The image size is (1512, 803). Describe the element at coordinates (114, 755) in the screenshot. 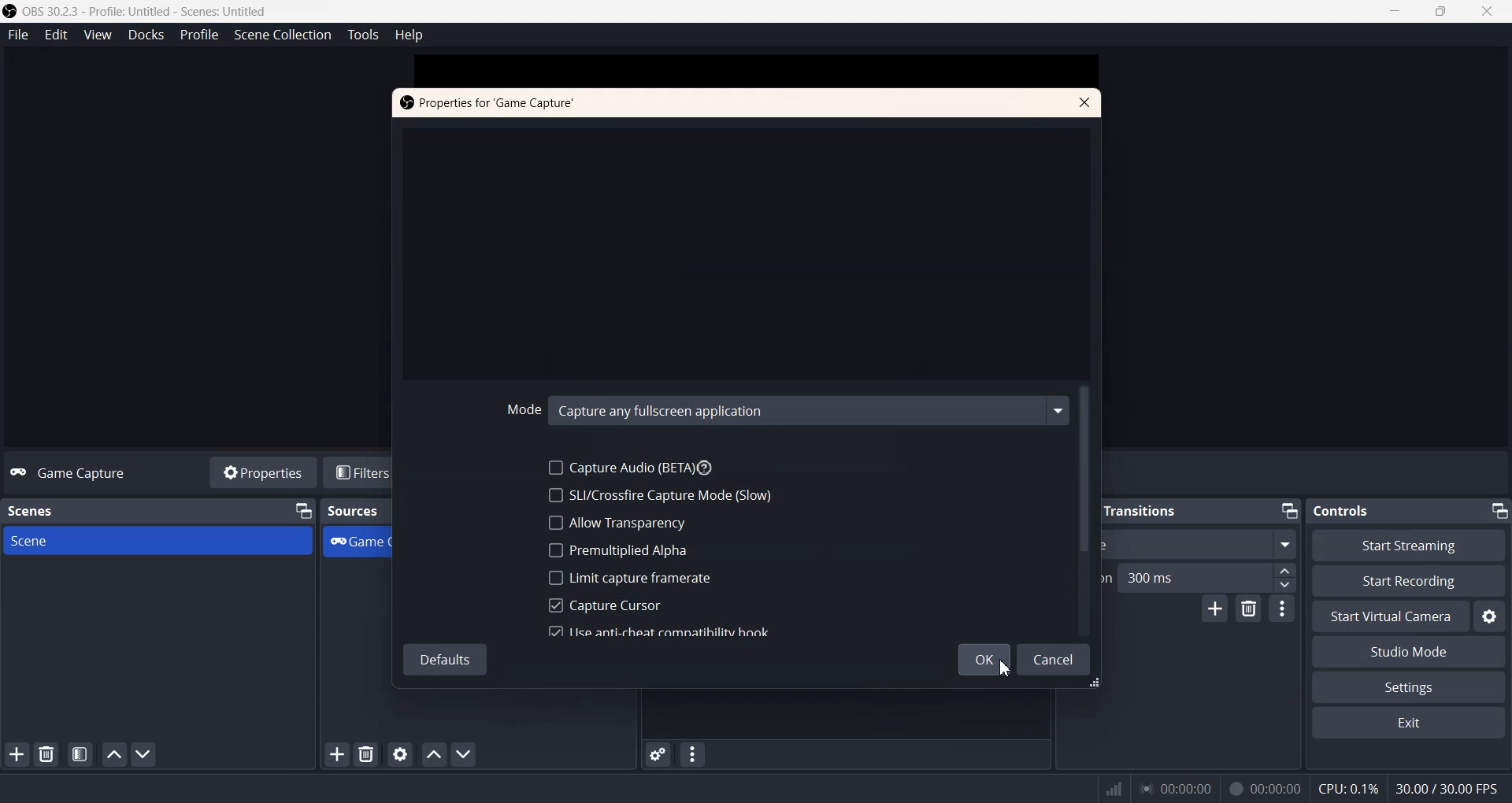

I see `Move Scene Up` at that location.